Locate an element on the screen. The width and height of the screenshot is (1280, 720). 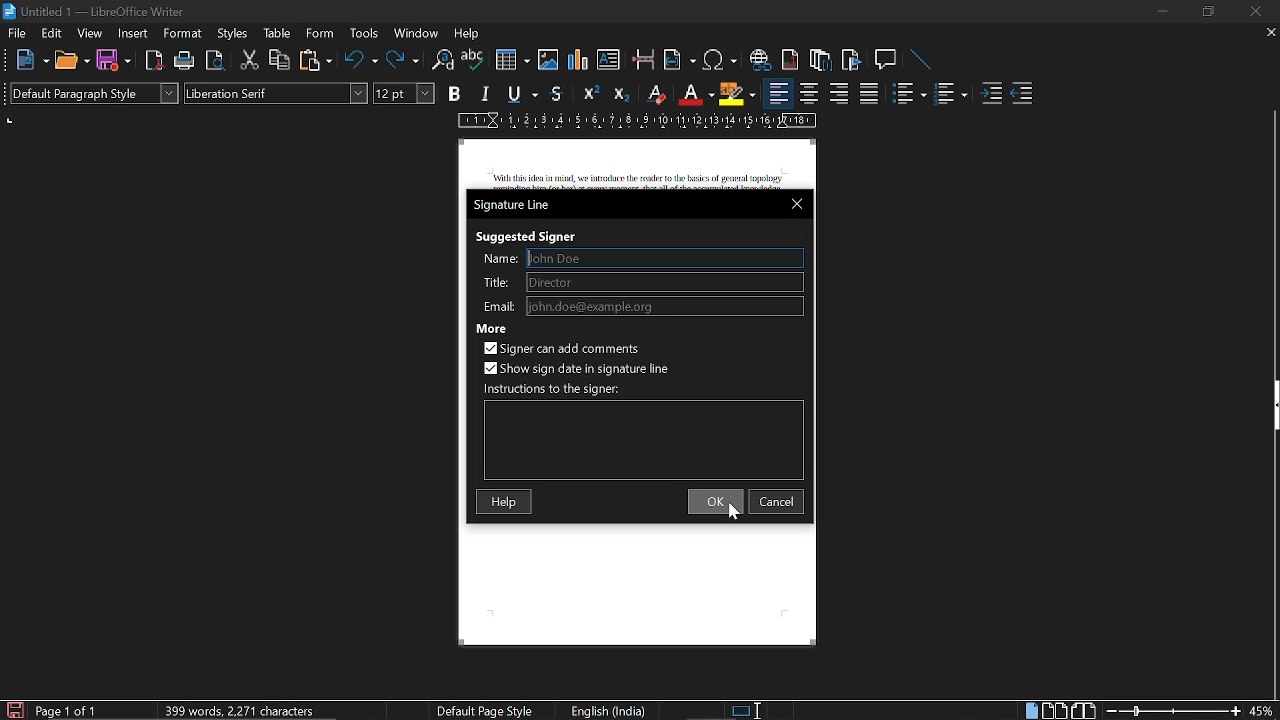
insert comment is located at coordinates (886, 59).